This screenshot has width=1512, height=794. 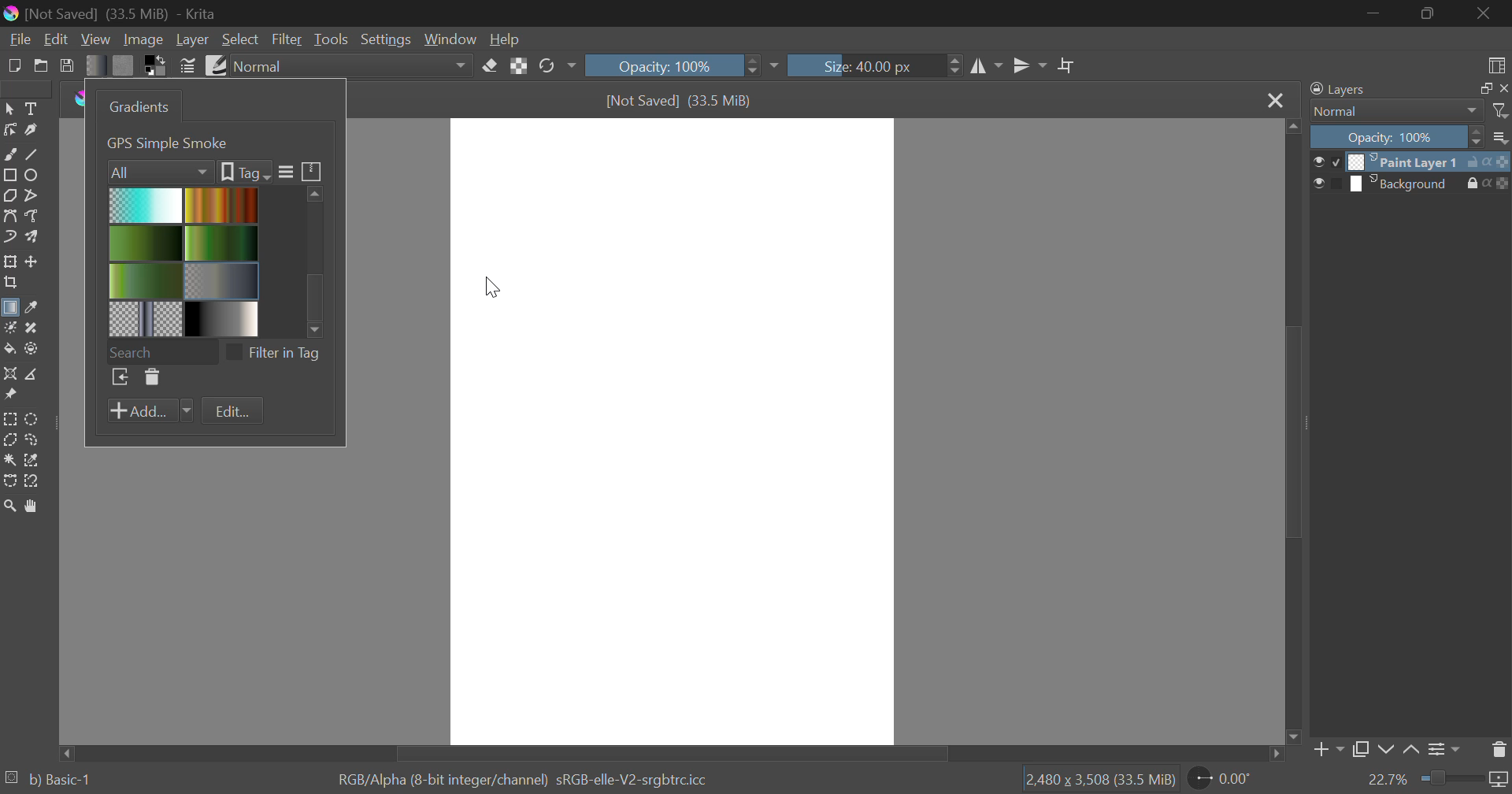 What do you see at coordinates (9, 441) in the screenshot?
I see `Polygon Selection` at bounding box center [9, 441].